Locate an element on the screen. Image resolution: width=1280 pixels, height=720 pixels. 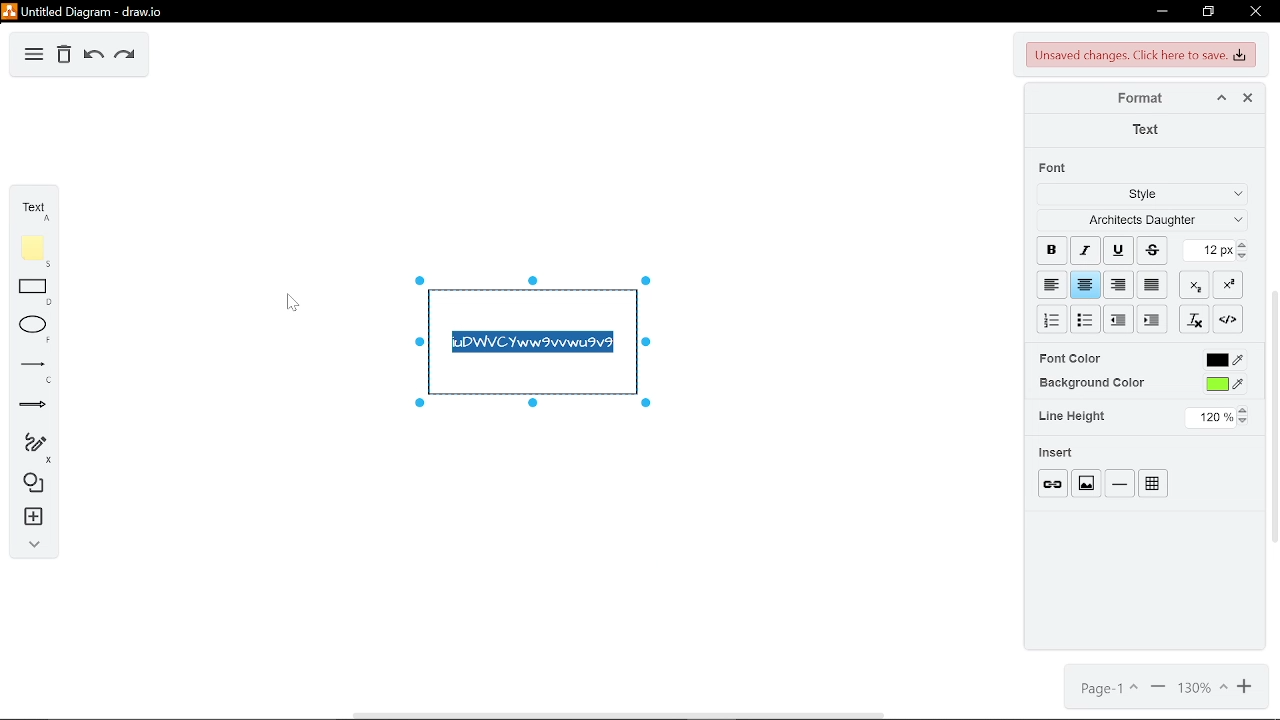
redo is located at coordinates (124, 56).